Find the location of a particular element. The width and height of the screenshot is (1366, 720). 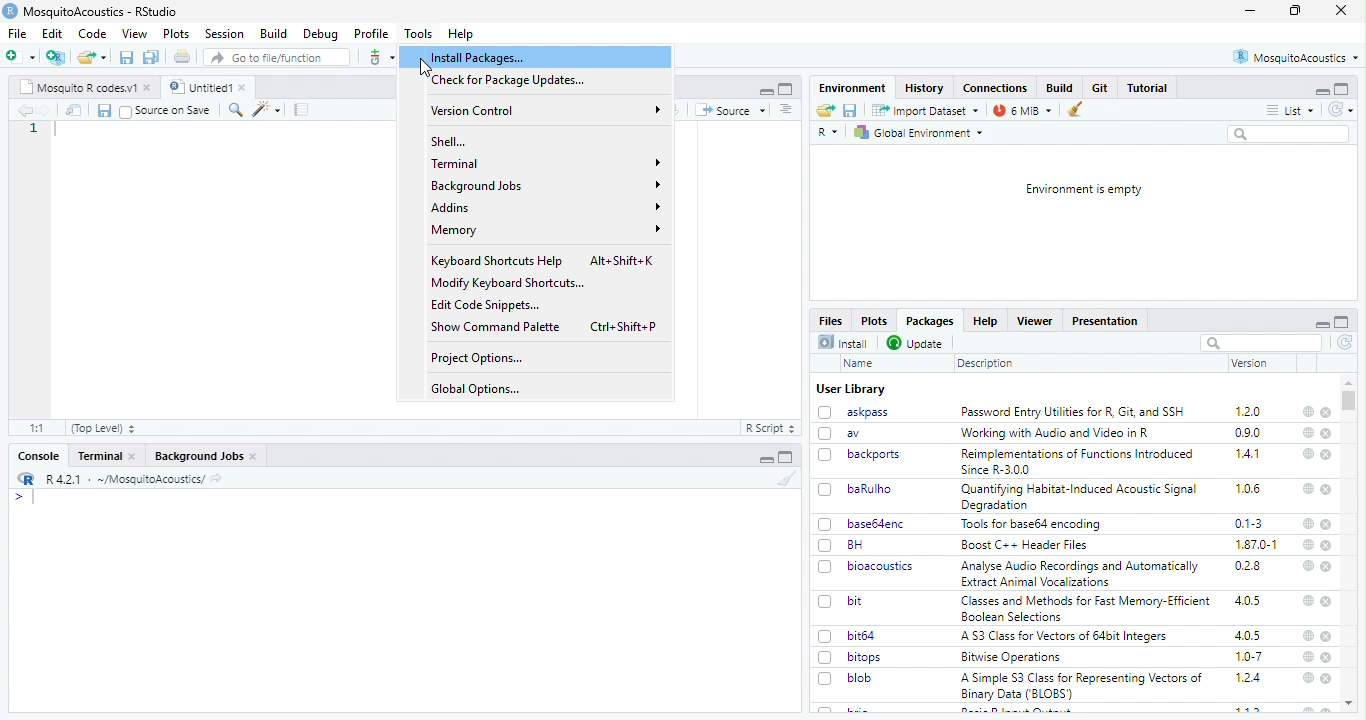

1:1 is located at coordinates (39, 428).